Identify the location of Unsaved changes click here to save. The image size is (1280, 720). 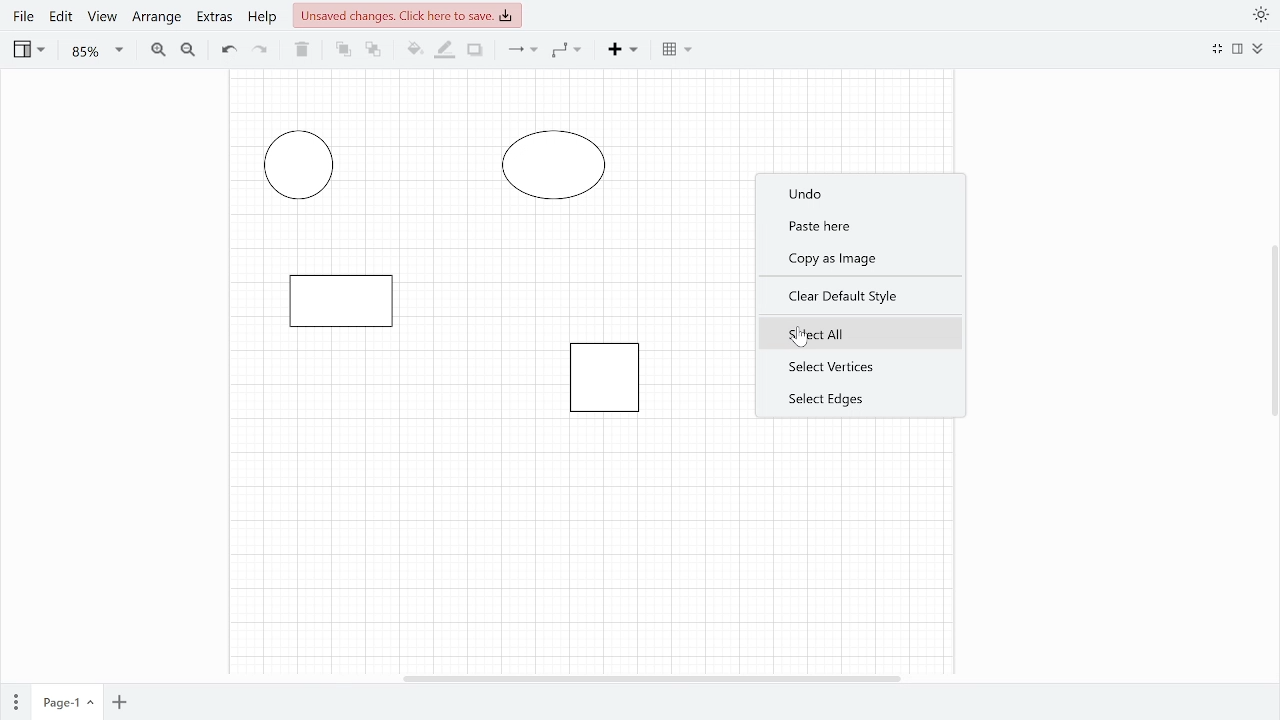
(409, 18).